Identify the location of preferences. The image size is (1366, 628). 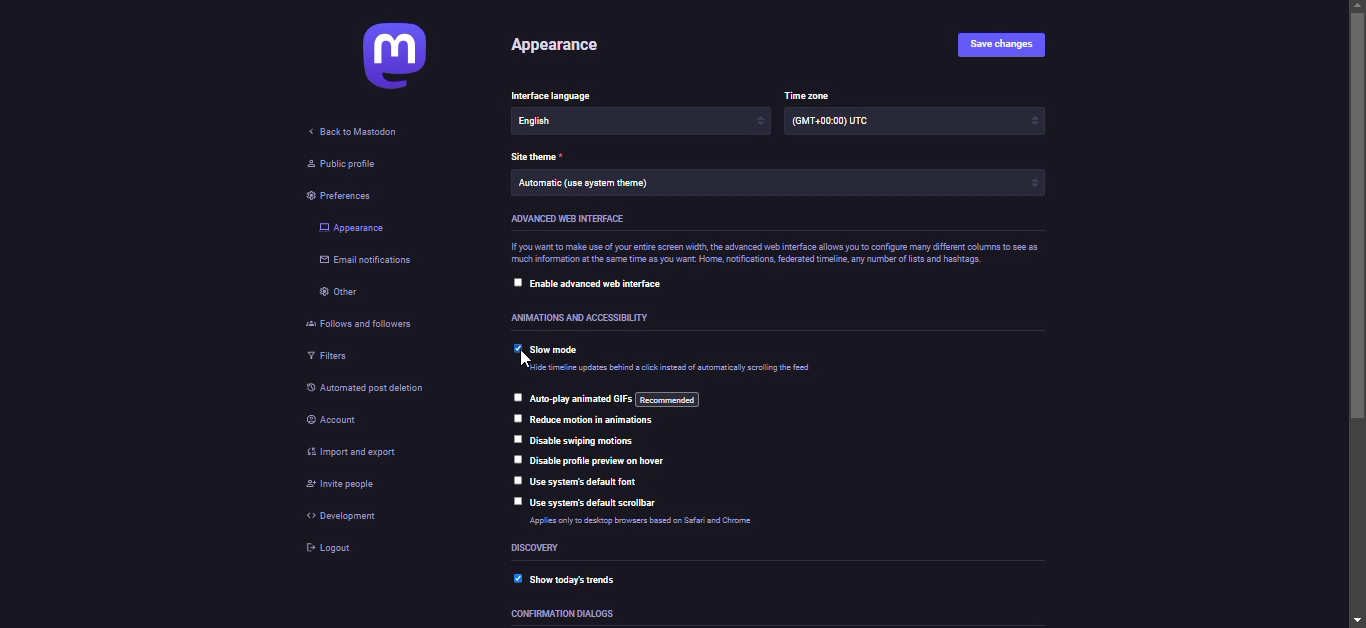
(340, 197).